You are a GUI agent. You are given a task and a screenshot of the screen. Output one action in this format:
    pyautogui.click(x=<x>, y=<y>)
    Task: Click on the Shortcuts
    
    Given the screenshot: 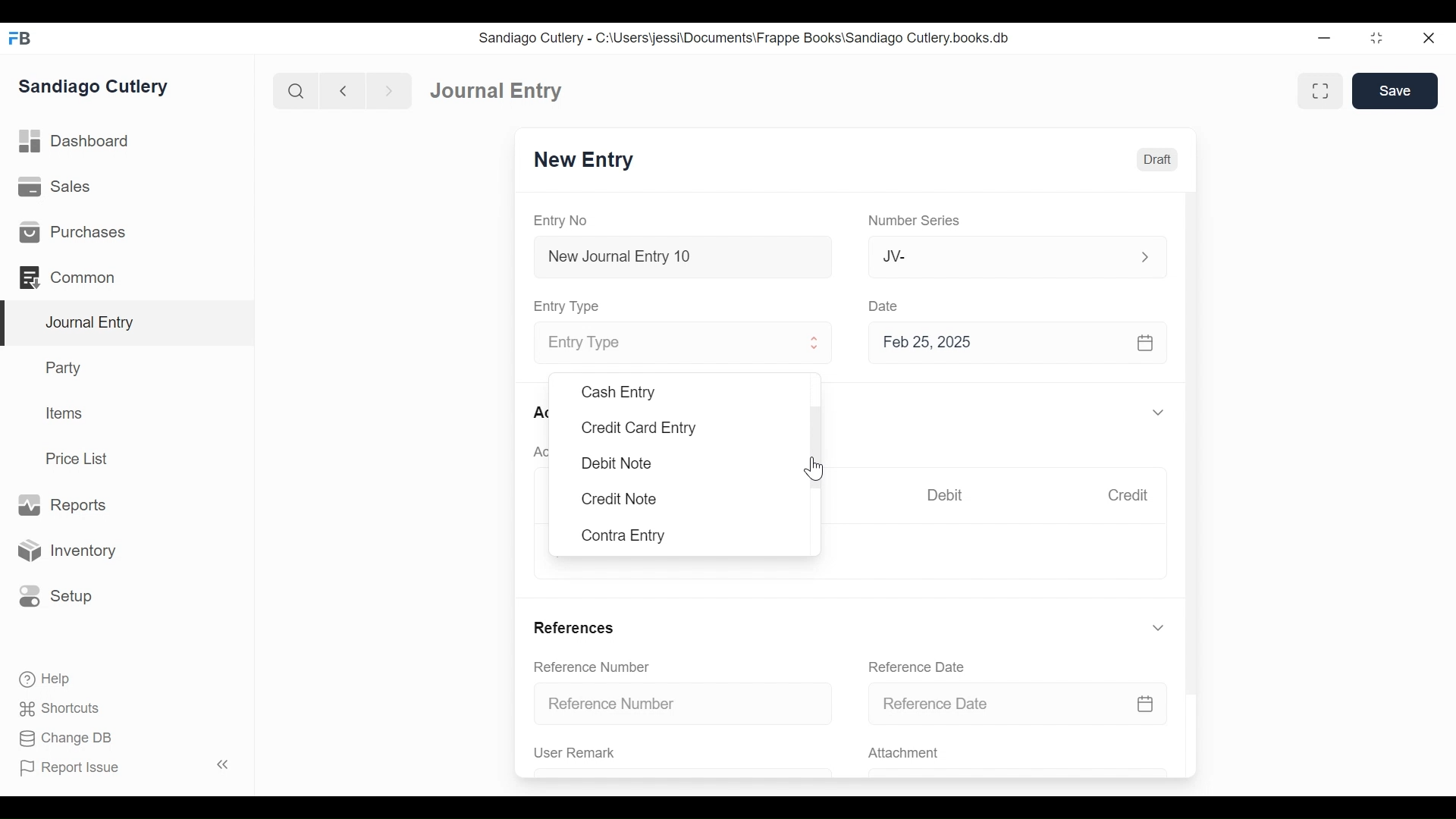 What is the action you would take?
    pyautogui.click(x=55, y=708)
    